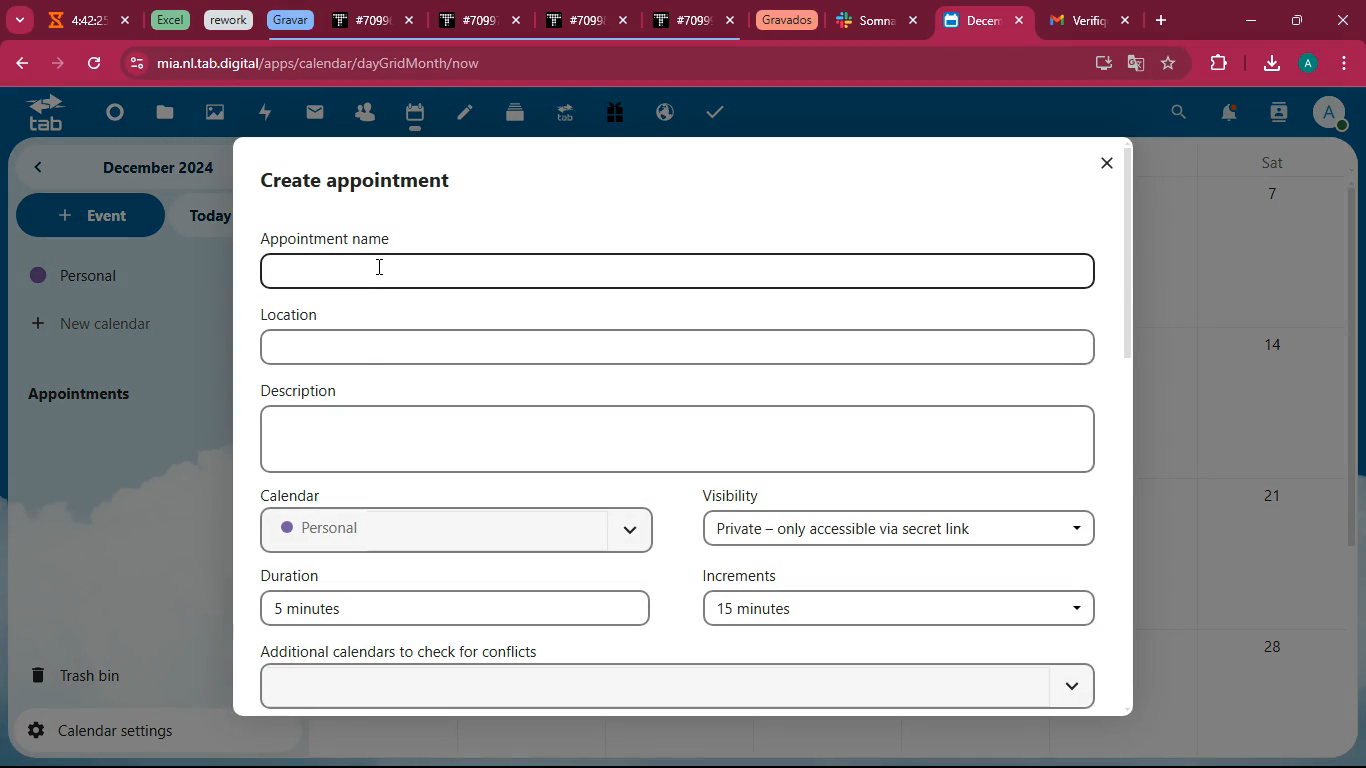  I want to click on search, so click(1179, 115).